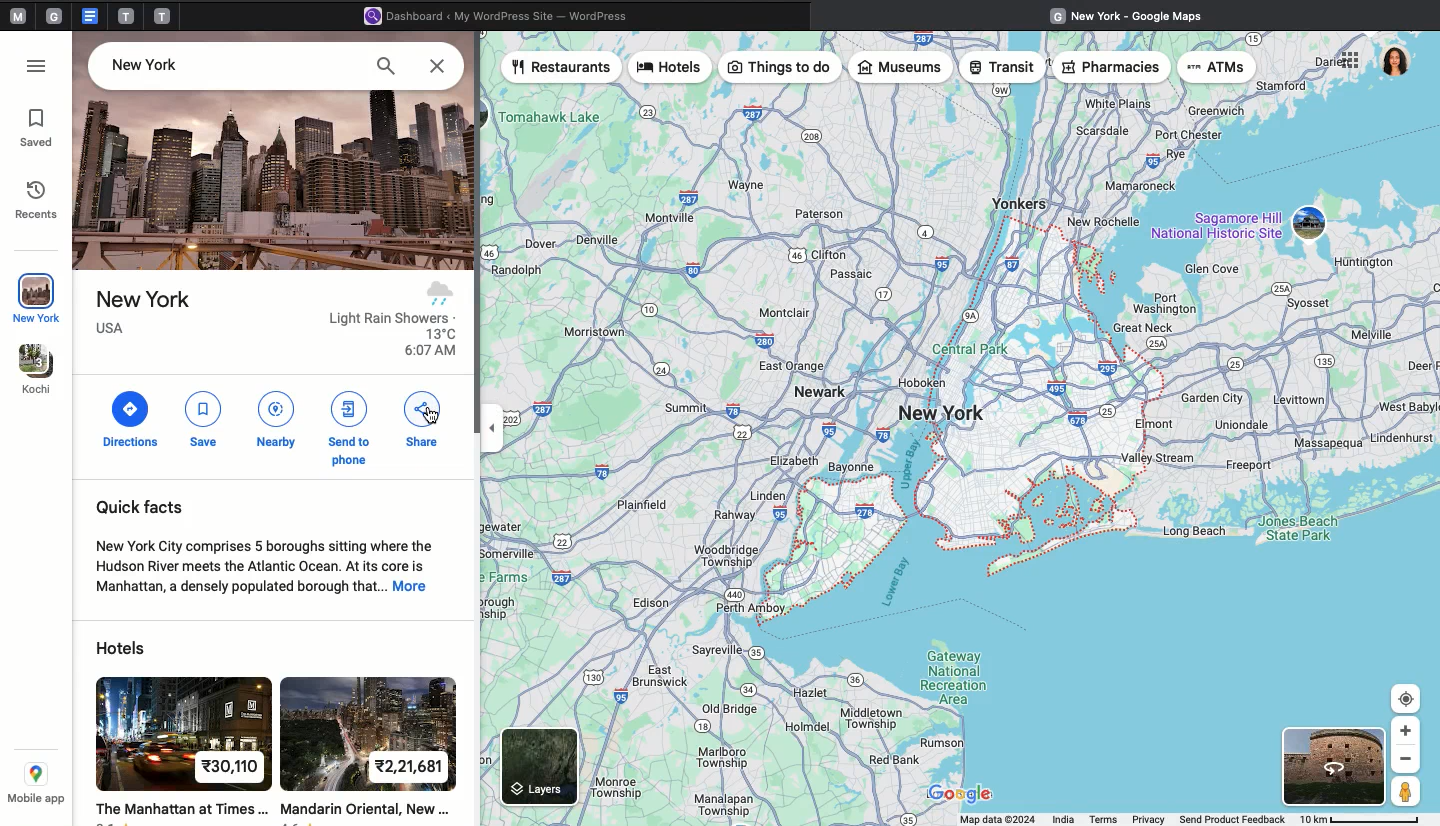 The width and height of the screenshot is (1440, 826). Describe the element at coordinates (354, 426) in the screenshot. I see `Send to phone` at that location.